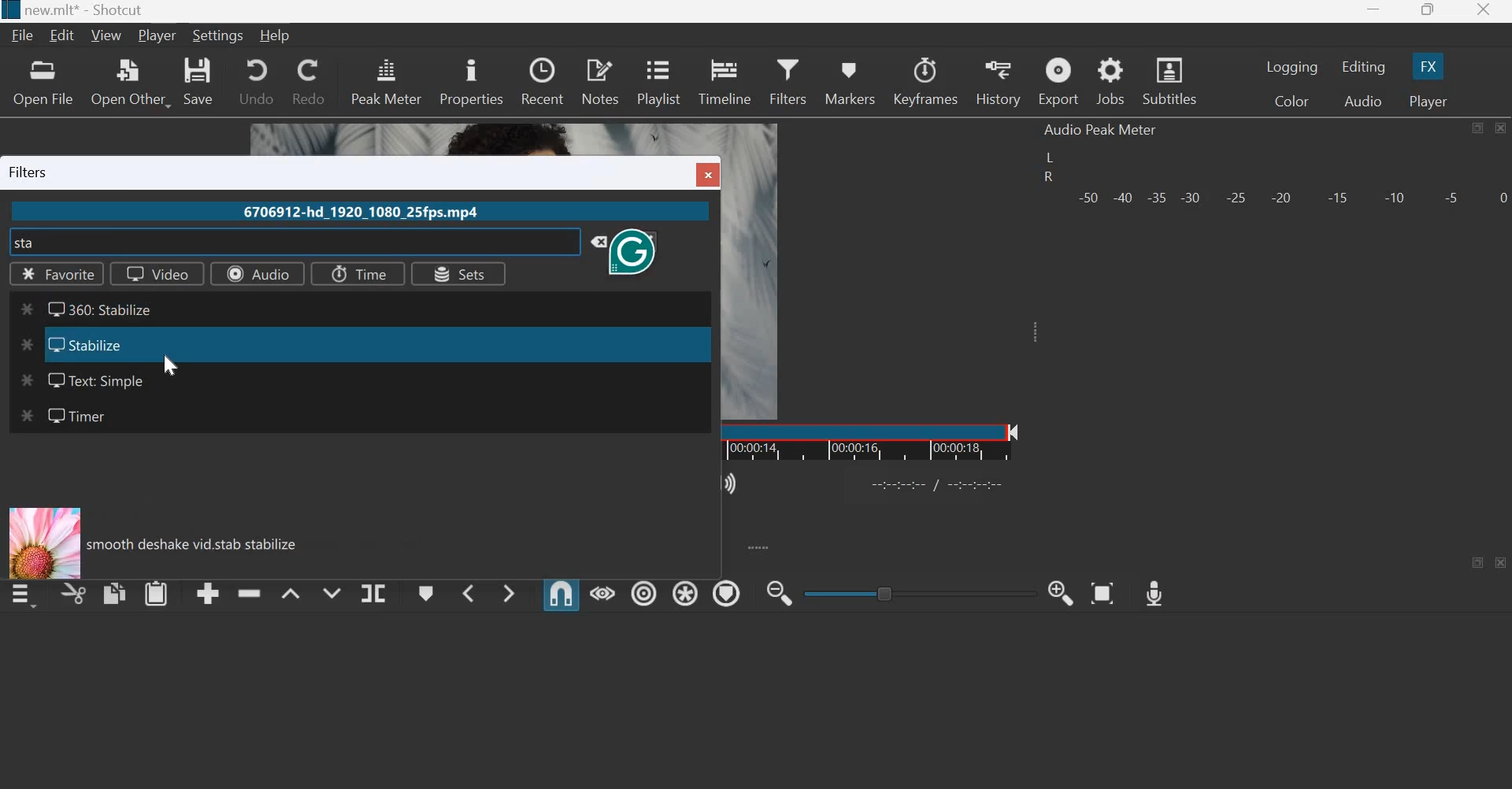 The height and width of the screenshot is (789, 1512). Describe the element at coordinates (30, 172) in the screenshot. I see `filters` at that location.